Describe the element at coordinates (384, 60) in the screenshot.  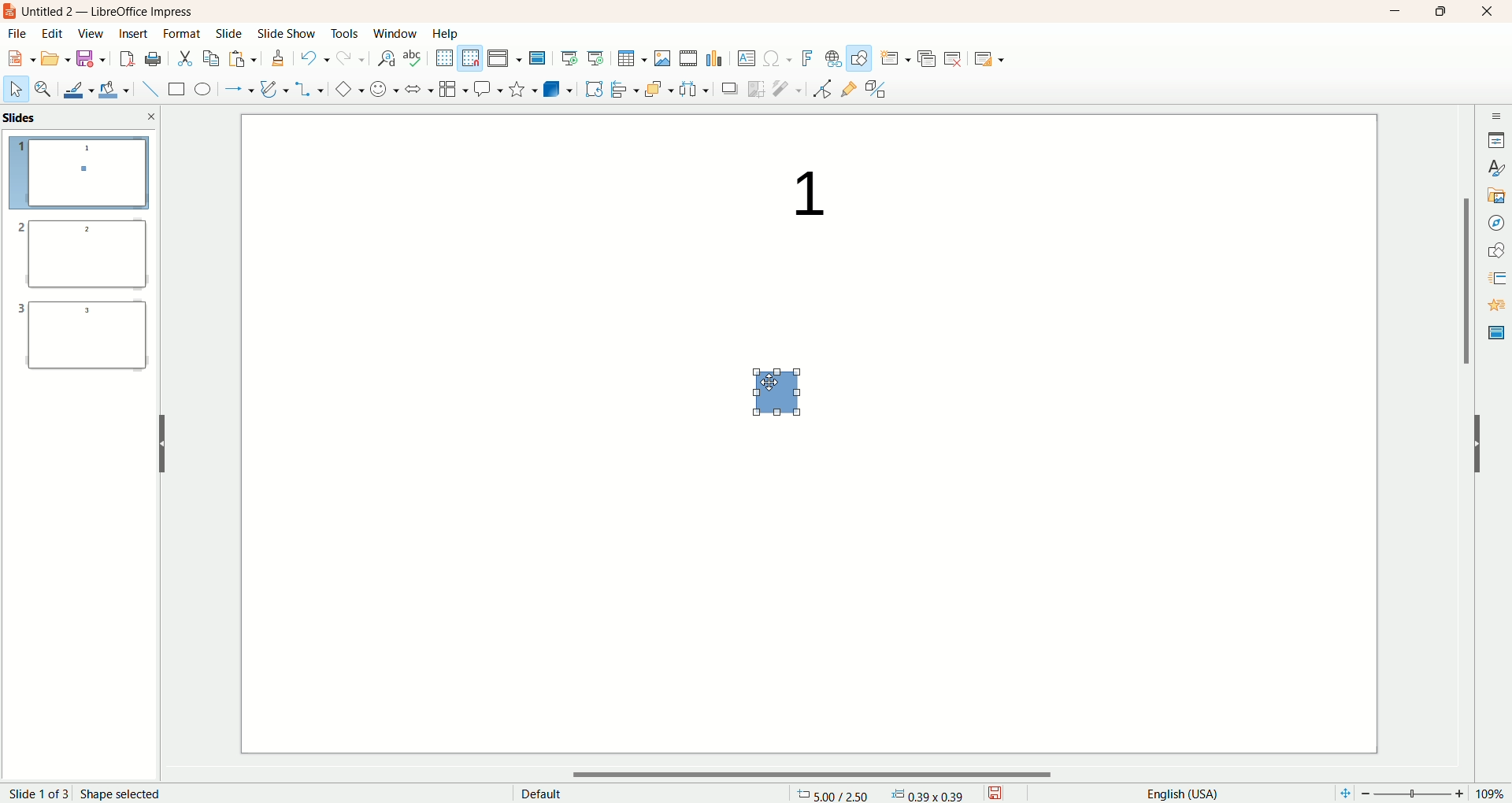
I see `find and replace` at that location.